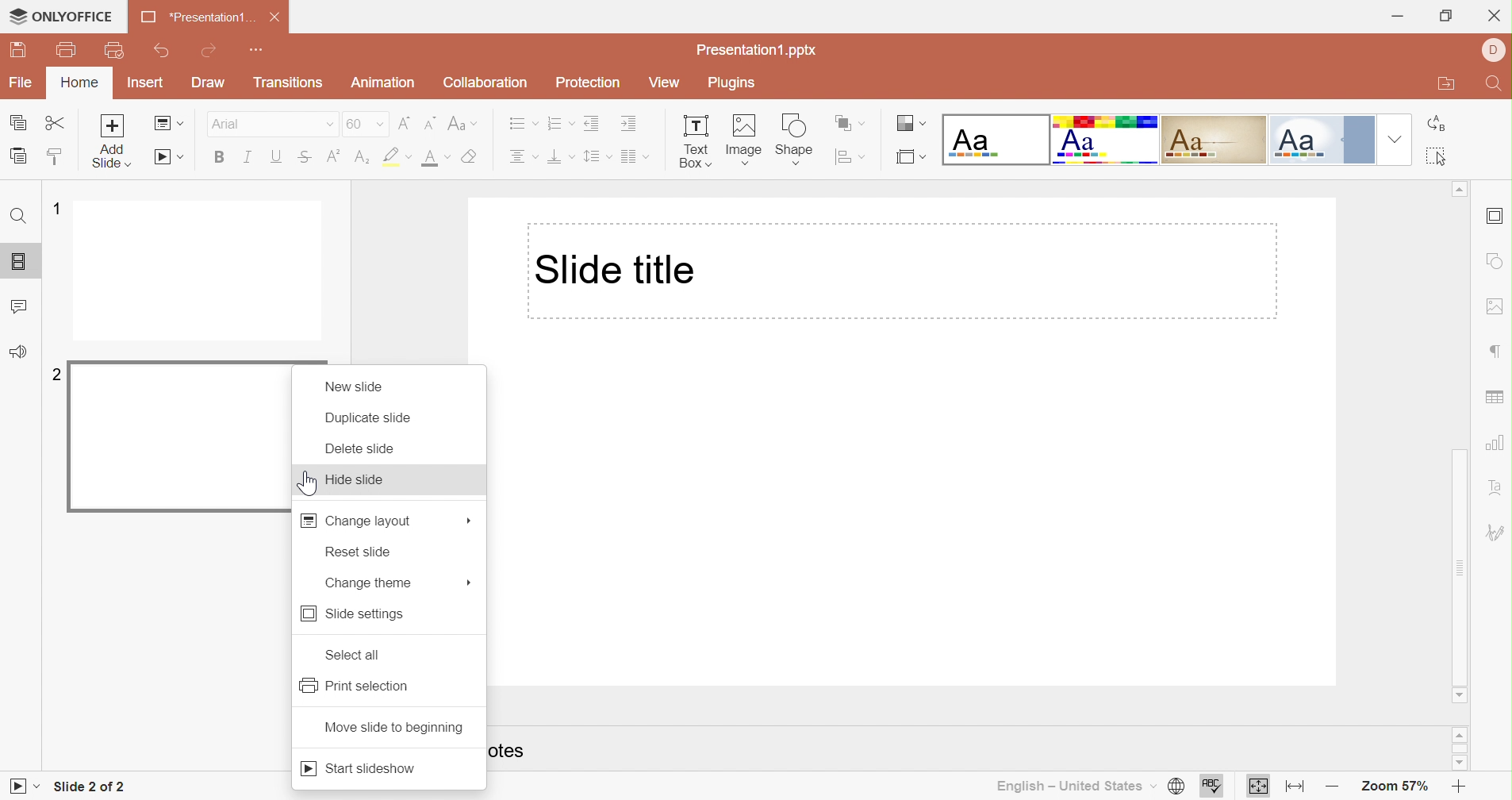 The image size is (1512, 800). I want to click on Image settings, so click(1498, 308).